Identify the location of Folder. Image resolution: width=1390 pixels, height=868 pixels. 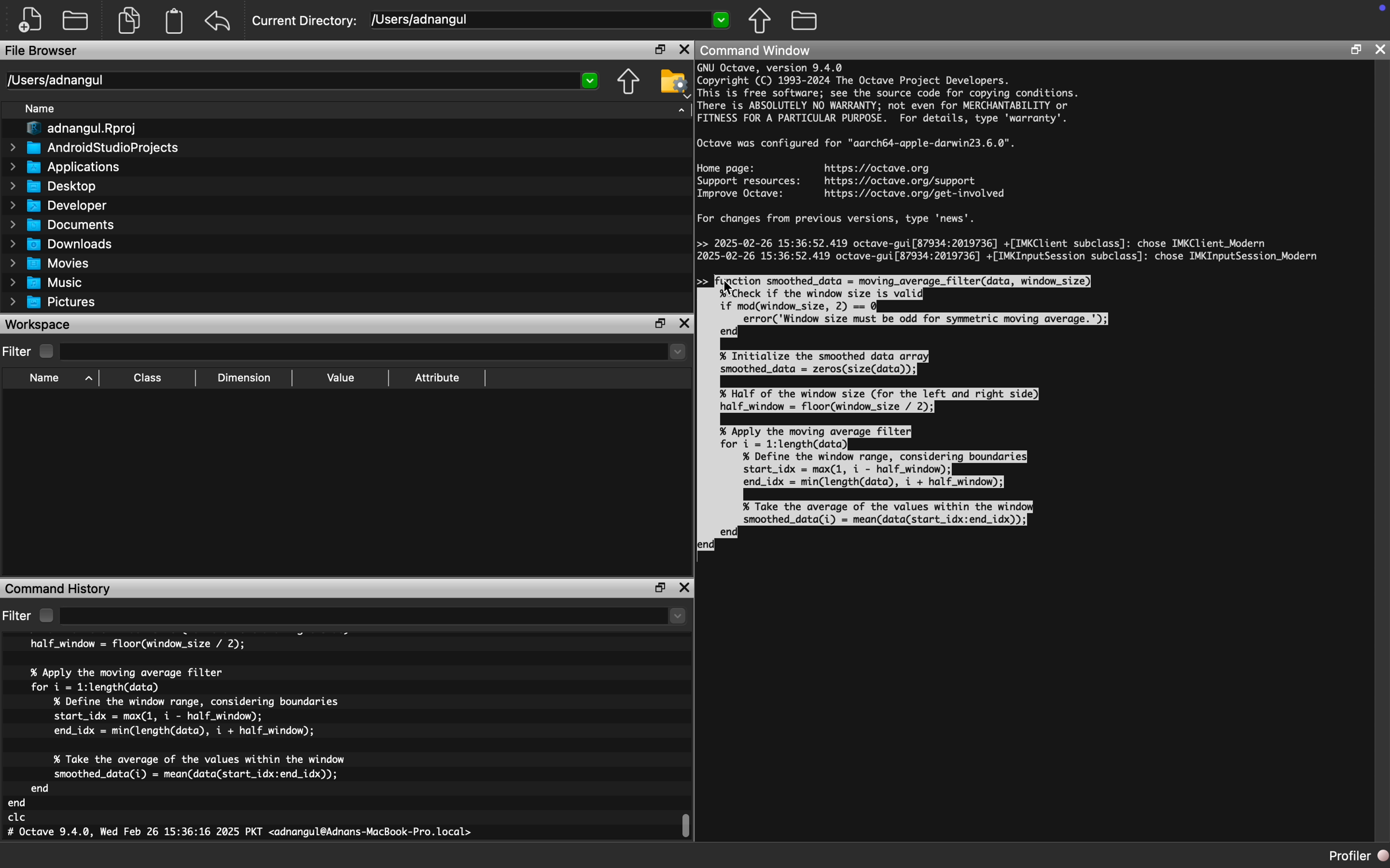
(805, 19).